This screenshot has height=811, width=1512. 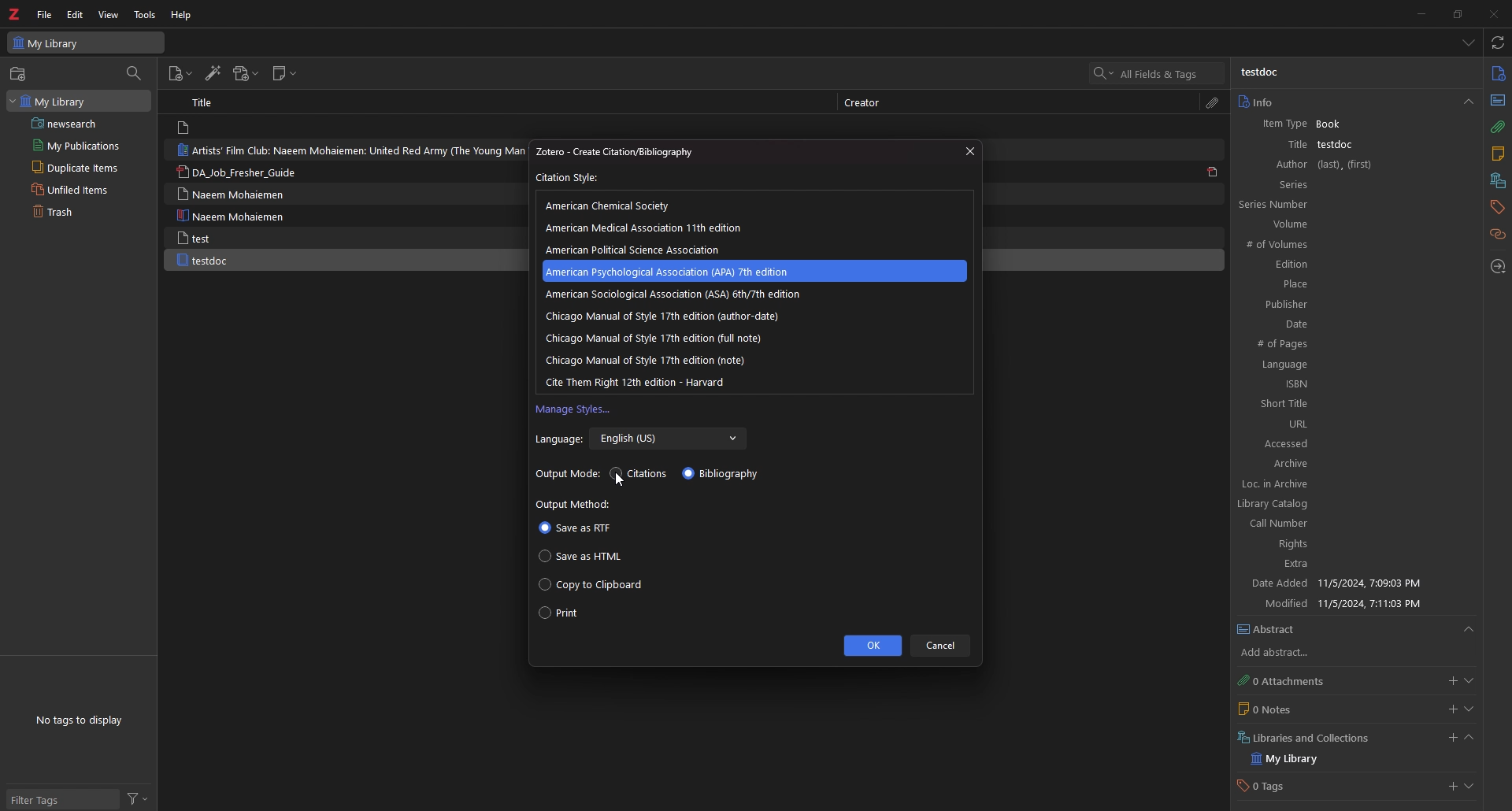 I want to click on American Sociological Association (ASA) 6th/7th edition, so click(x=673, y=294).